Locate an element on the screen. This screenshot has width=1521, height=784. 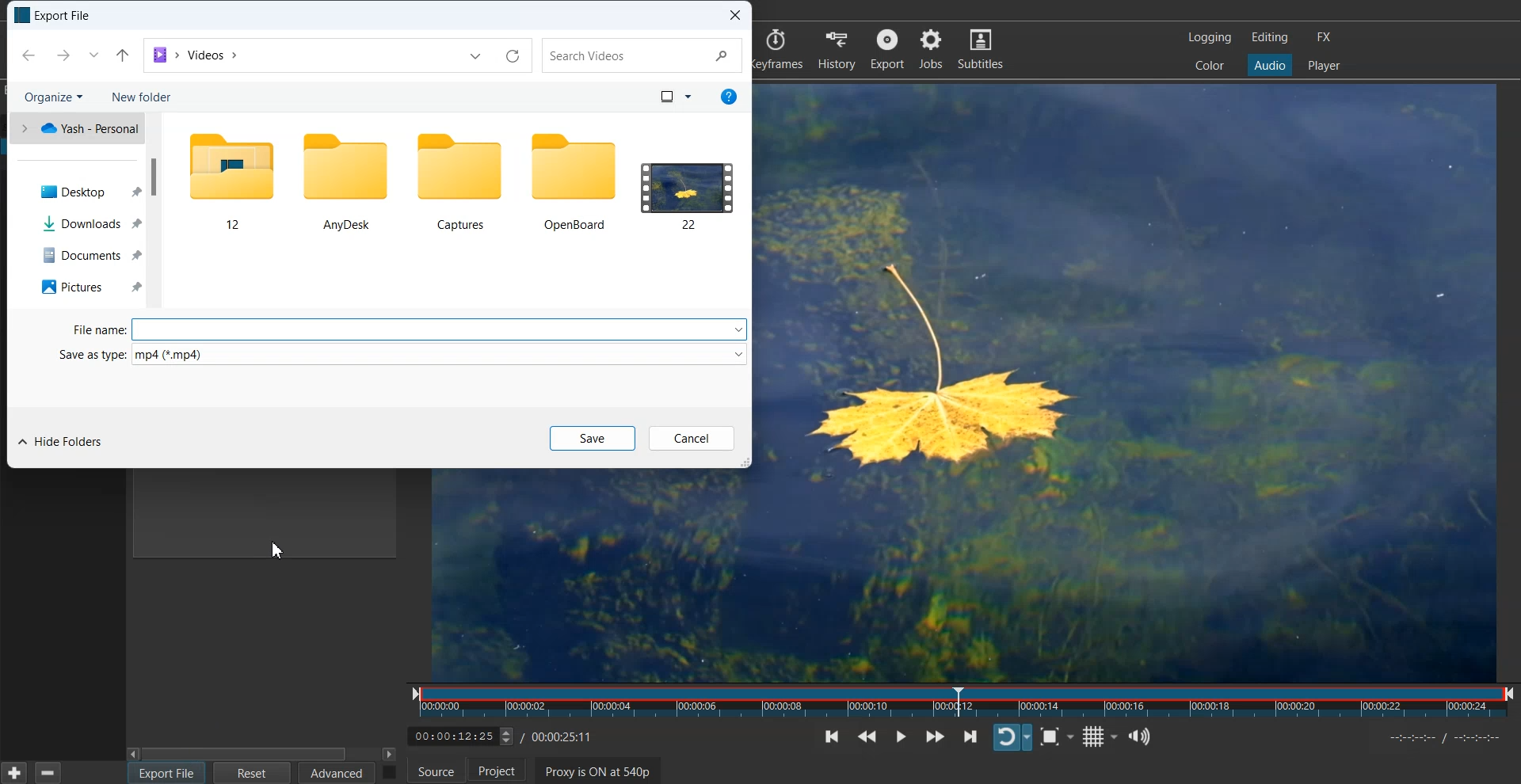
Player is located at coordinates (1324, 66).